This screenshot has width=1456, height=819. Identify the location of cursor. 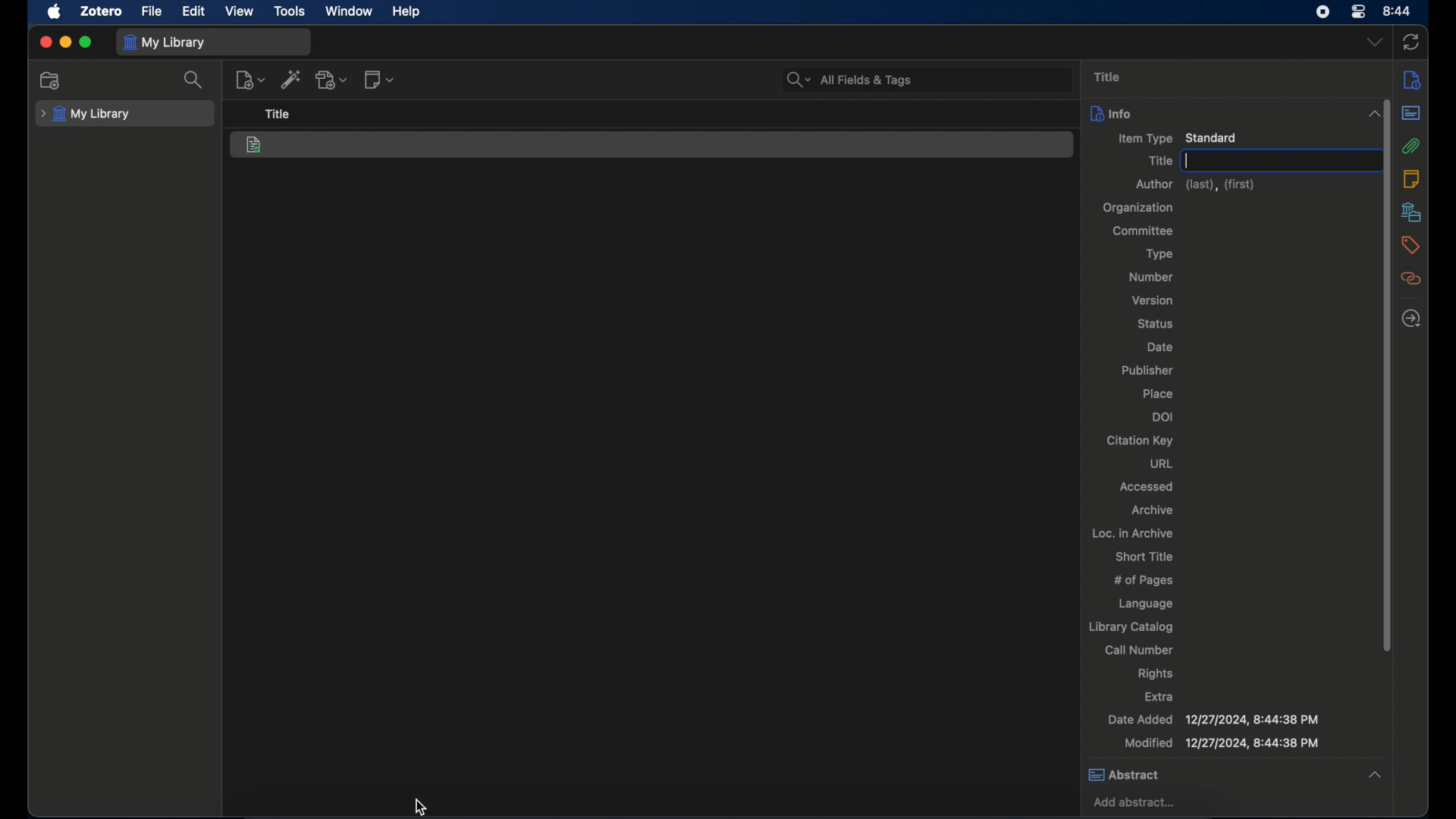
(419, 806).